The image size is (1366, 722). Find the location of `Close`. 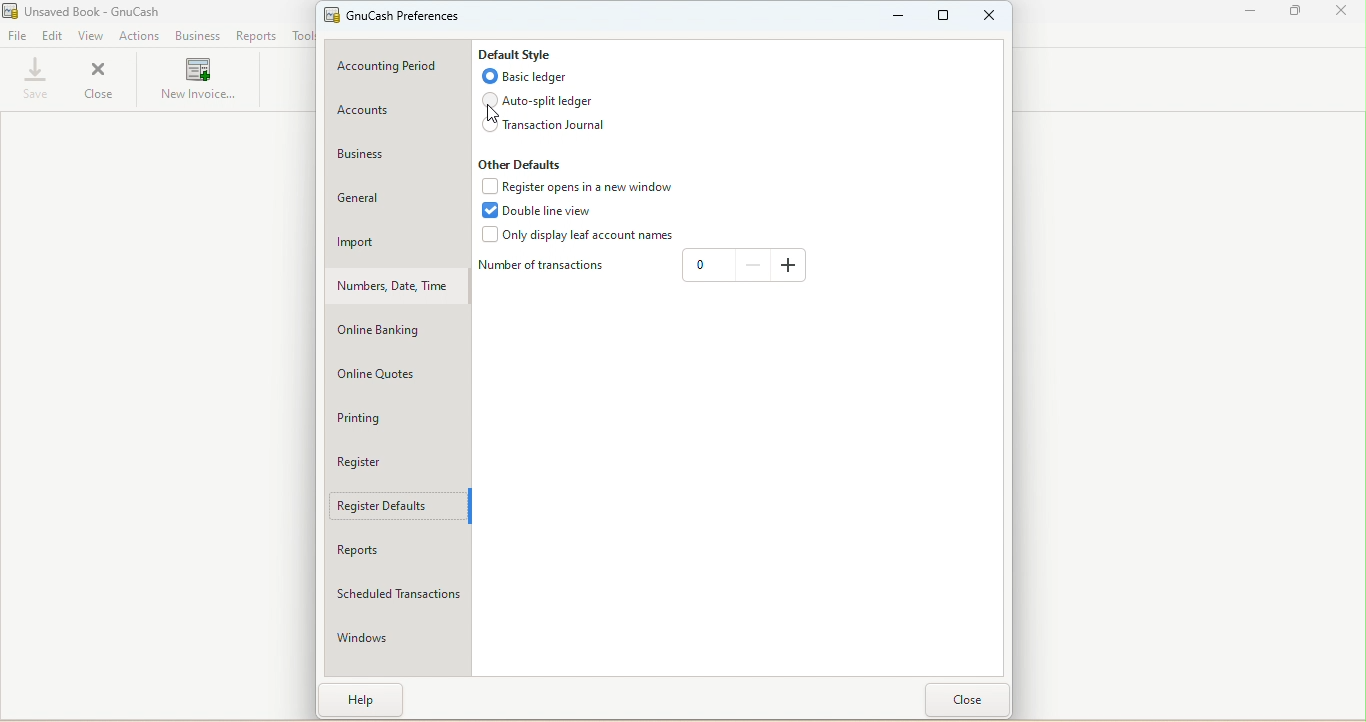

Close is located at coordinates (989, 17).